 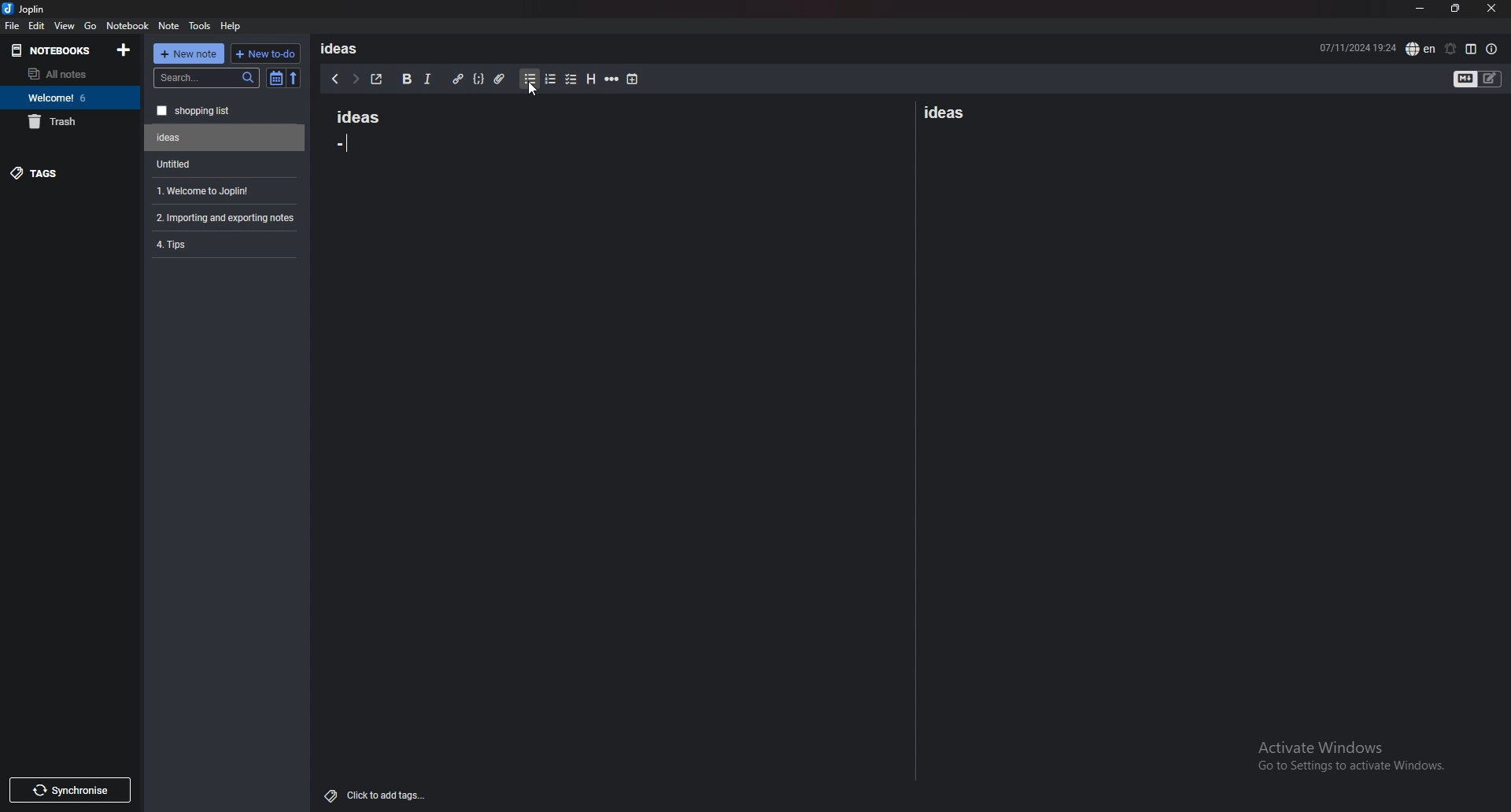 I want to click on help, so click(x=231, y=25).